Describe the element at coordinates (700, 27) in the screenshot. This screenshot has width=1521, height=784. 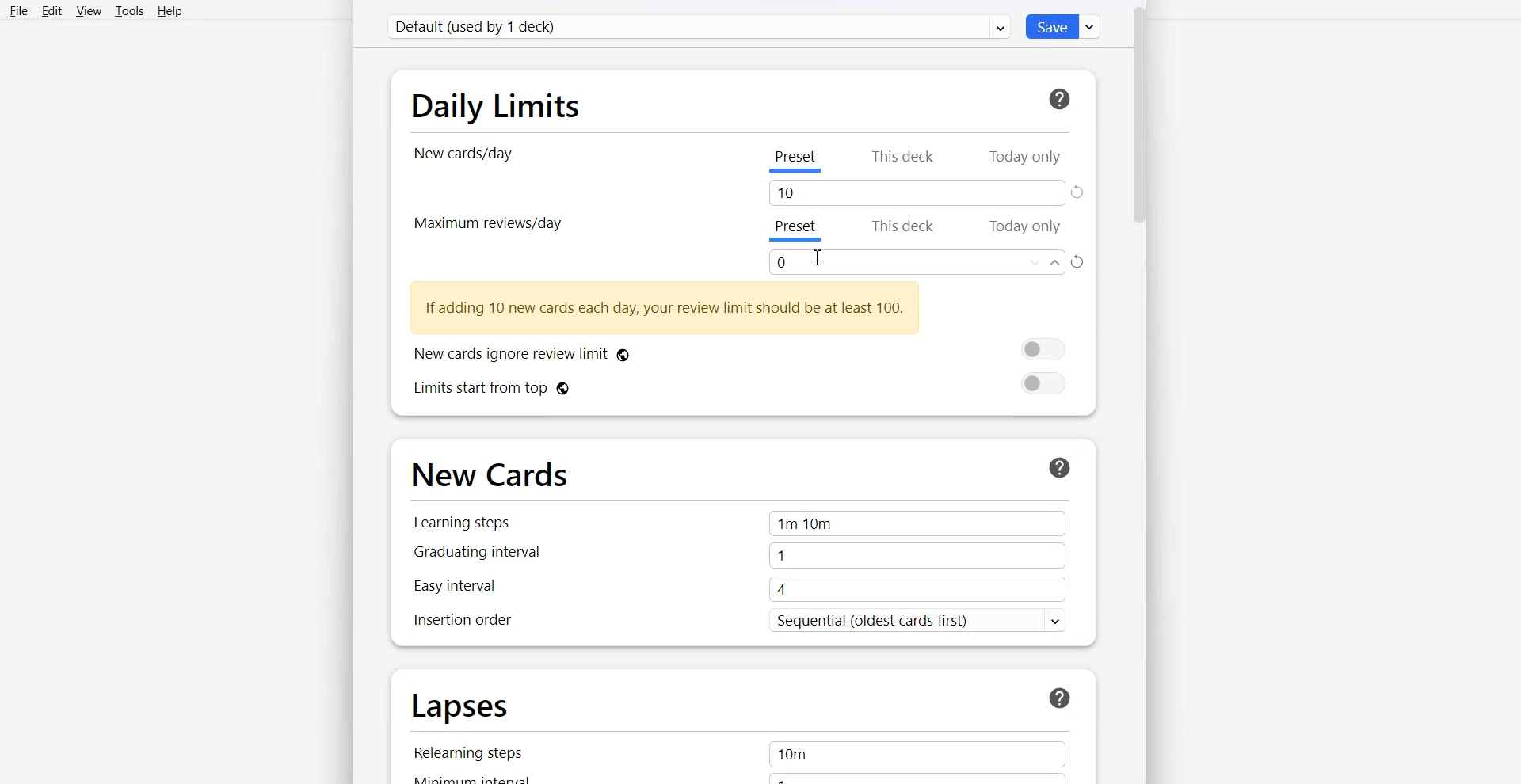
I see `Default` at that location.